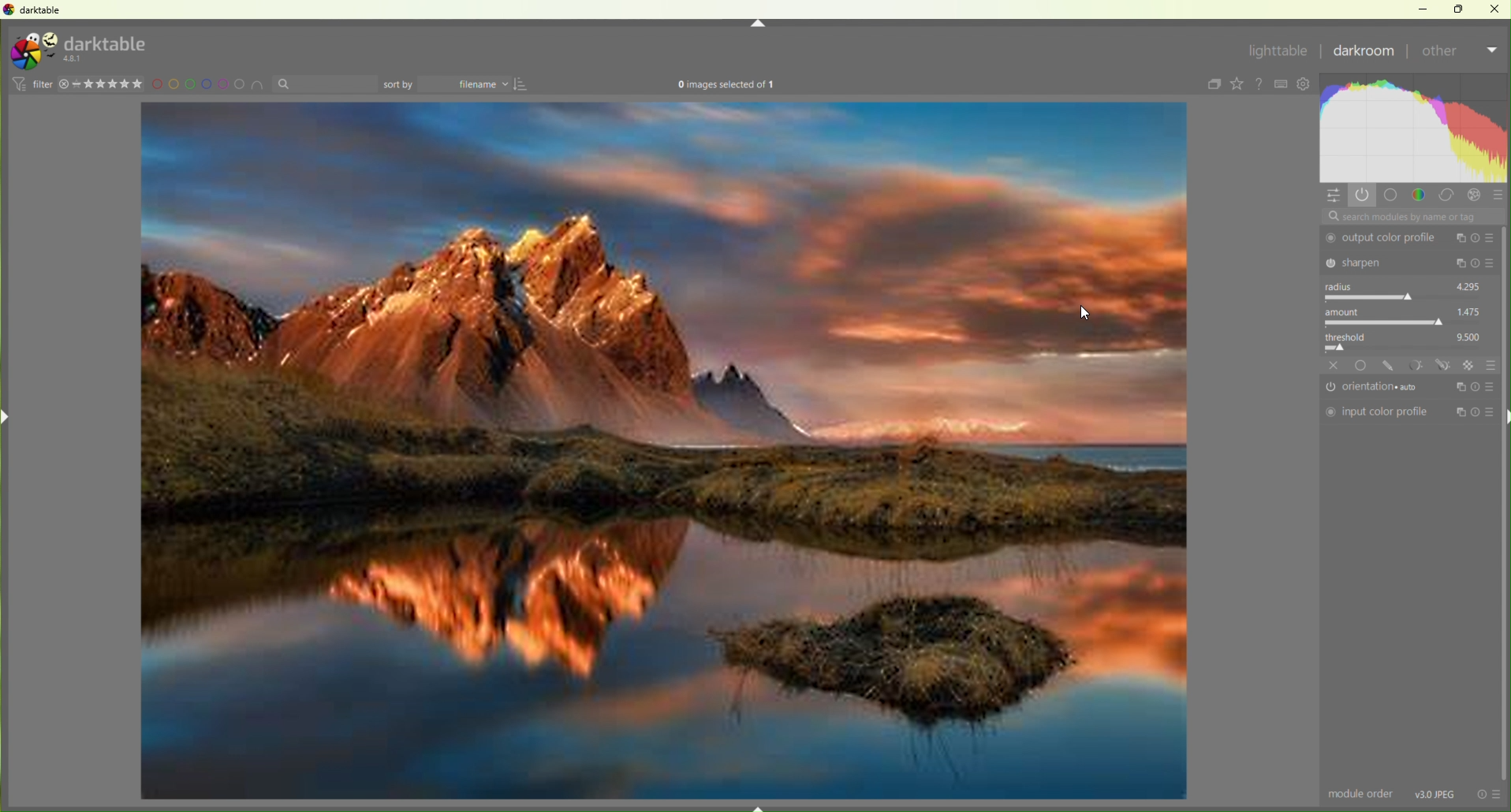 This screenshot has height=812, width=1511. Describe the element at coordinates (17, 84) in the screenshot. I see `icon` at that location.